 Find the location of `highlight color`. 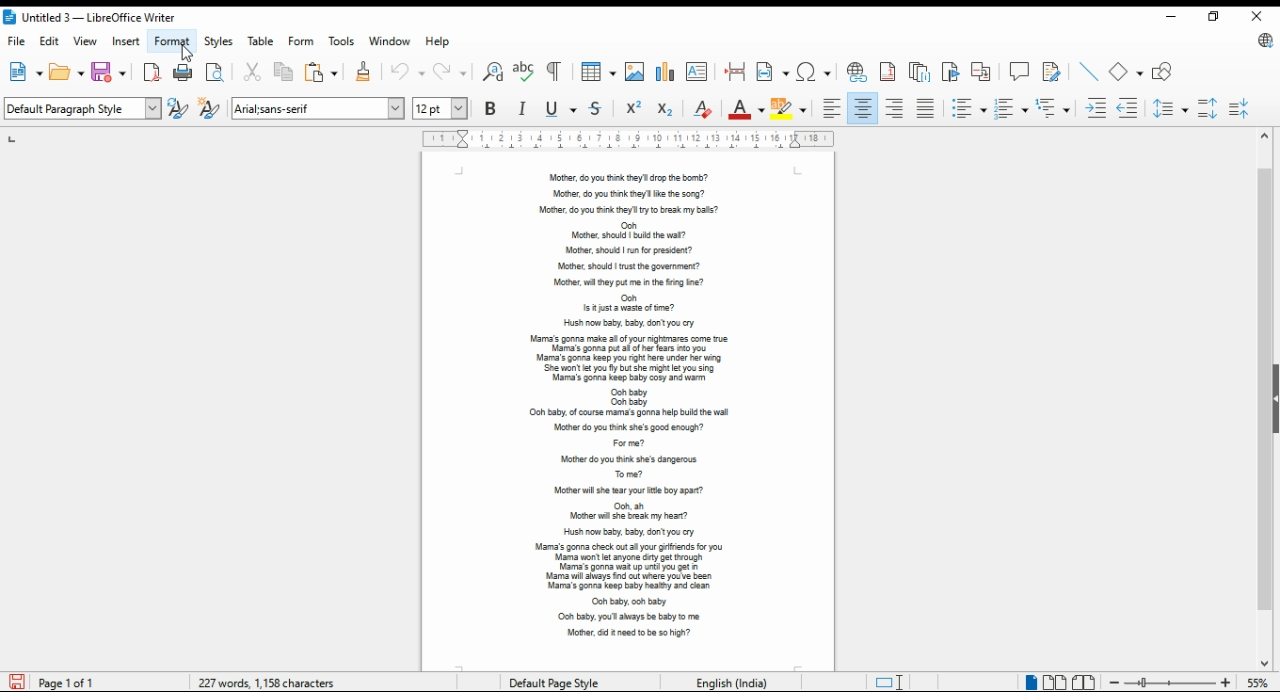

highlight color is located at coordinates (791, 108).